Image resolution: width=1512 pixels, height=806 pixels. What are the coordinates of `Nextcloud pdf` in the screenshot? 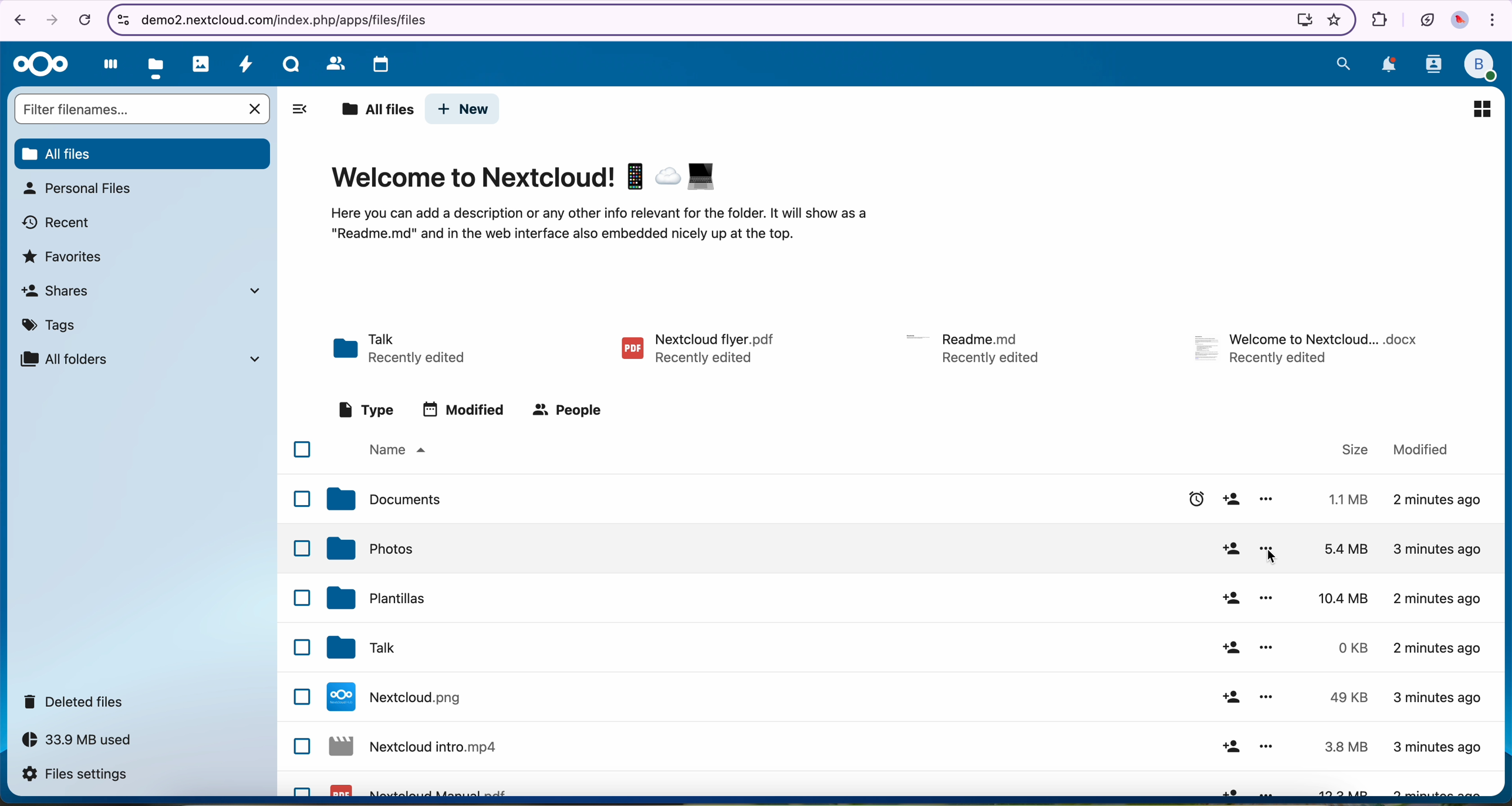 It's located at (423, 788).